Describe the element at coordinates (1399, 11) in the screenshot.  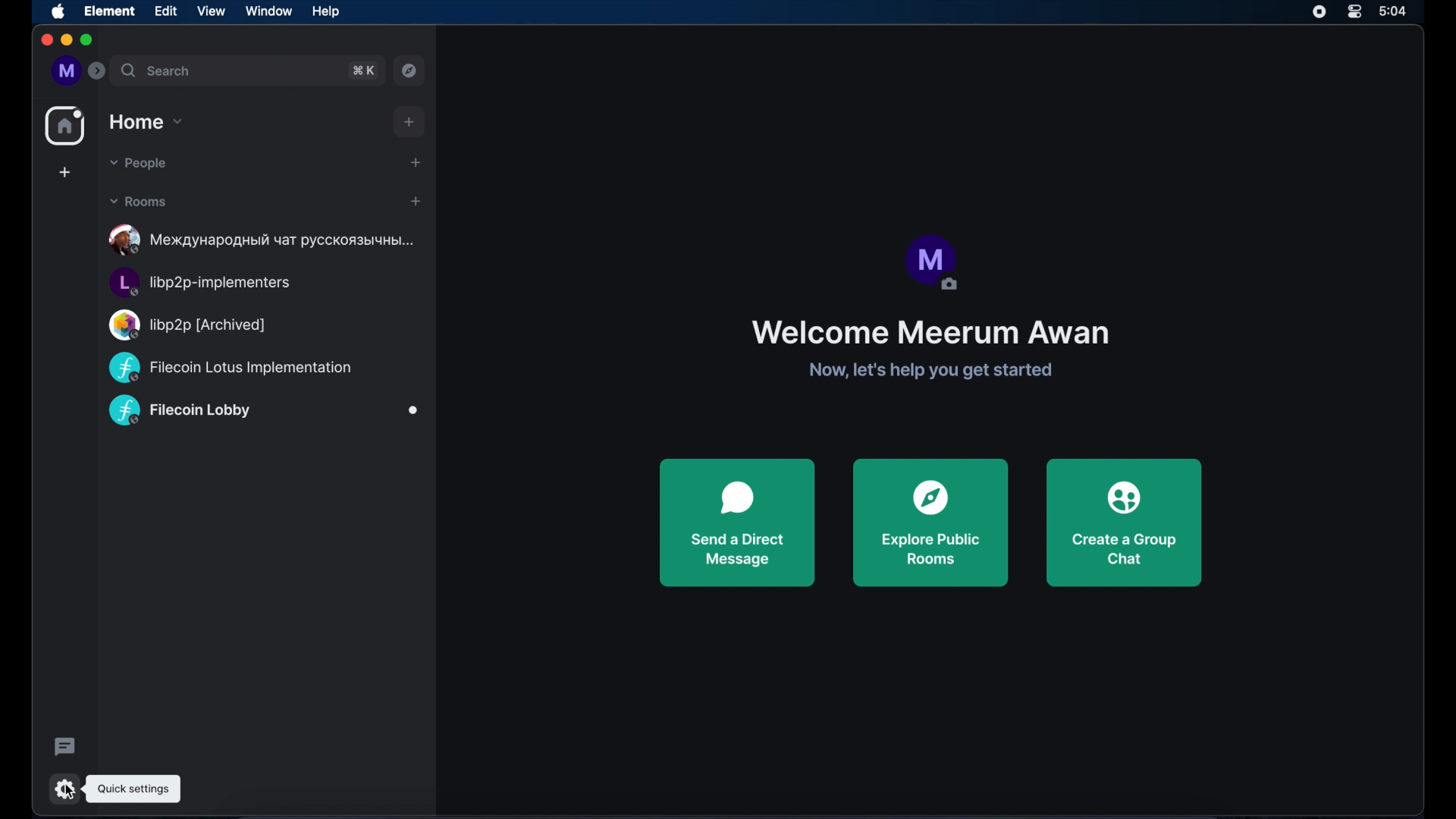
I see `5:04` at that location.